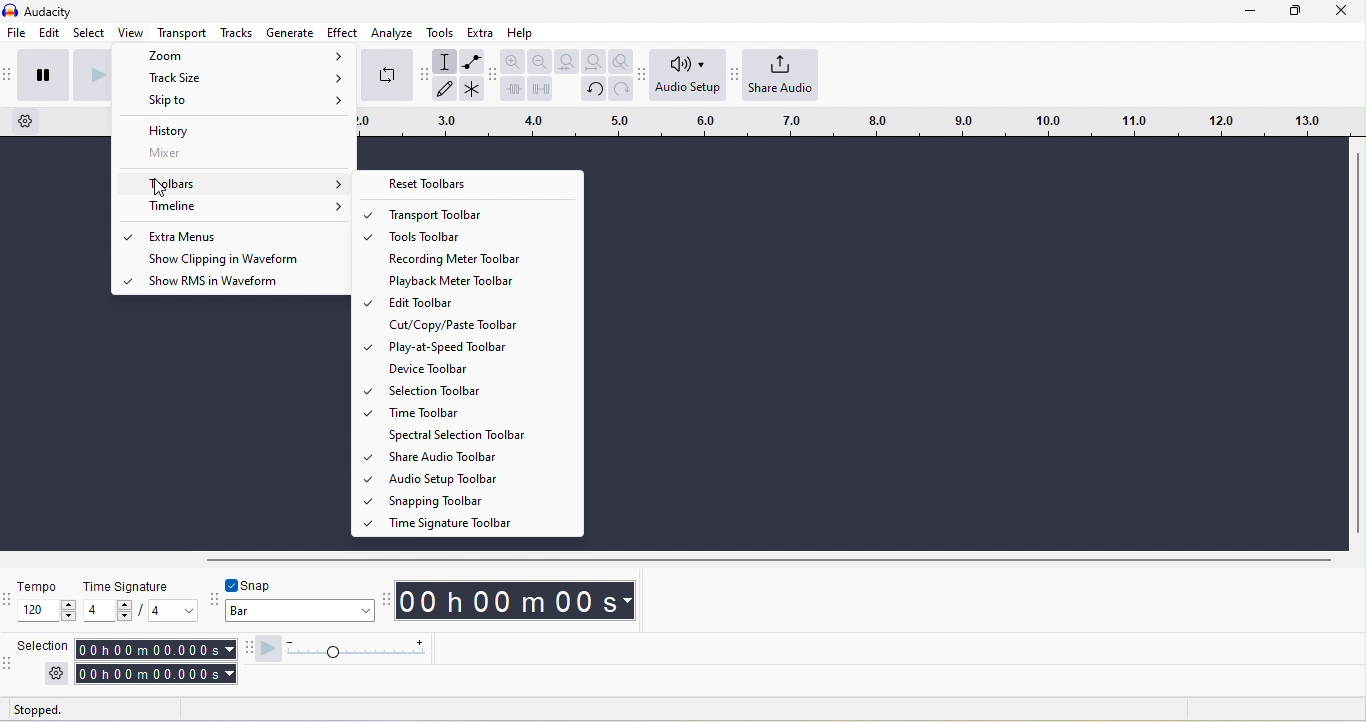 Image resolution: width=1366 pixels, height=722 pixels. Describe the element at coordinates (424, 74) in the screenshot. I see `audacity tools toolbar` at that location.